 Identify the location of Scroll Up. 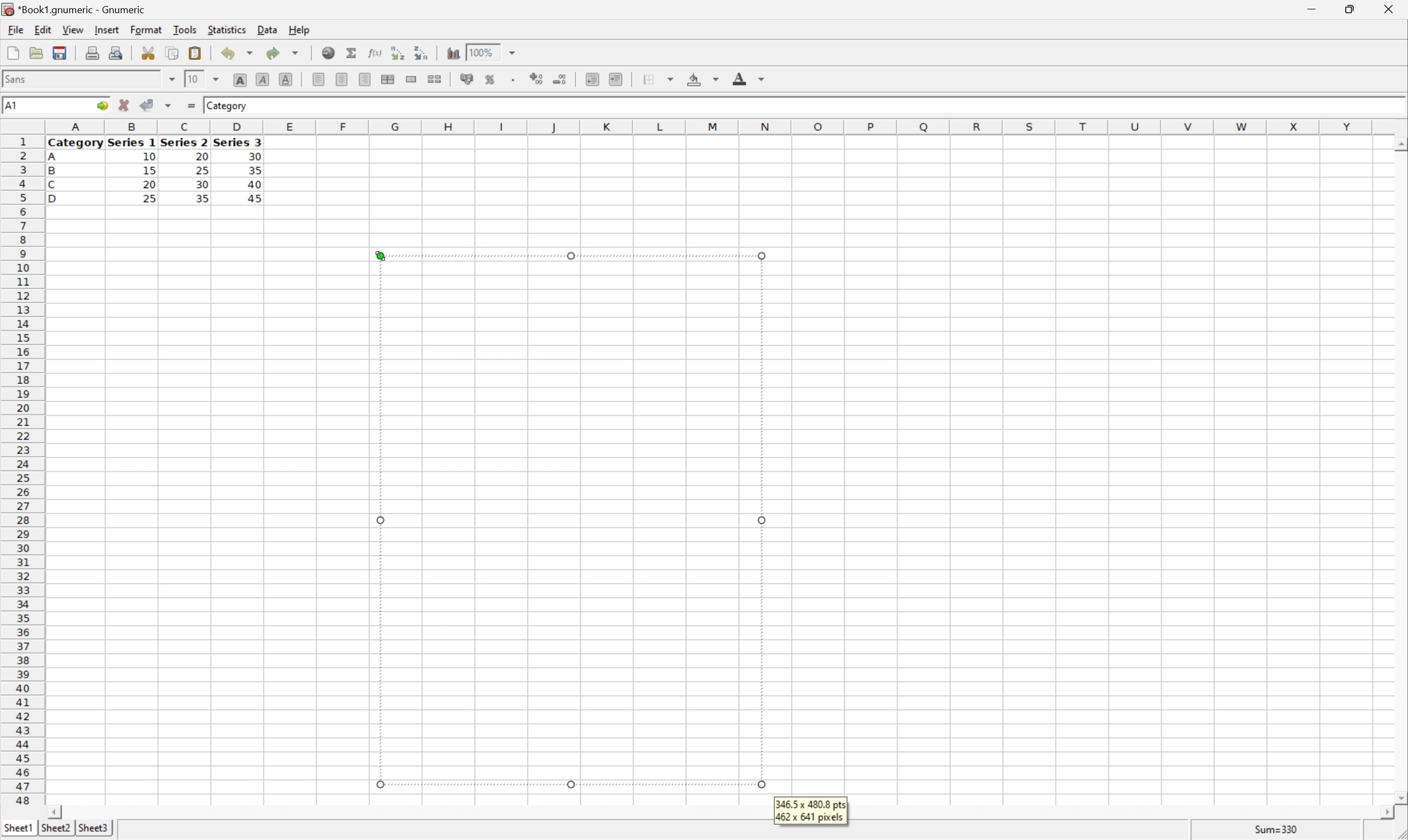
(1398, 143).